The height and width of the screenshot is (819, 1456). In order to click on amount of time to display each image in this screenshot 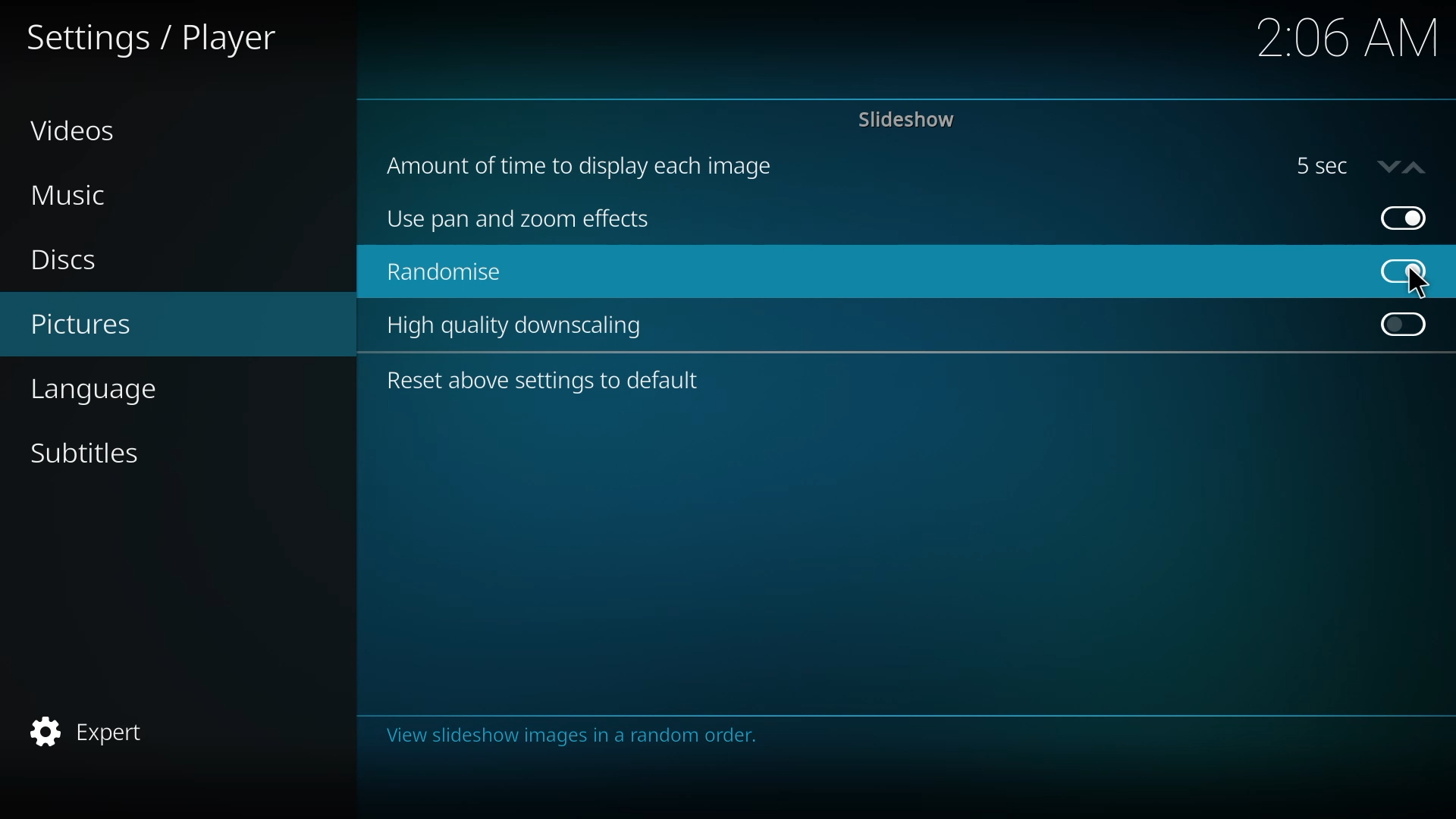, I will do `click(589, 167)`.